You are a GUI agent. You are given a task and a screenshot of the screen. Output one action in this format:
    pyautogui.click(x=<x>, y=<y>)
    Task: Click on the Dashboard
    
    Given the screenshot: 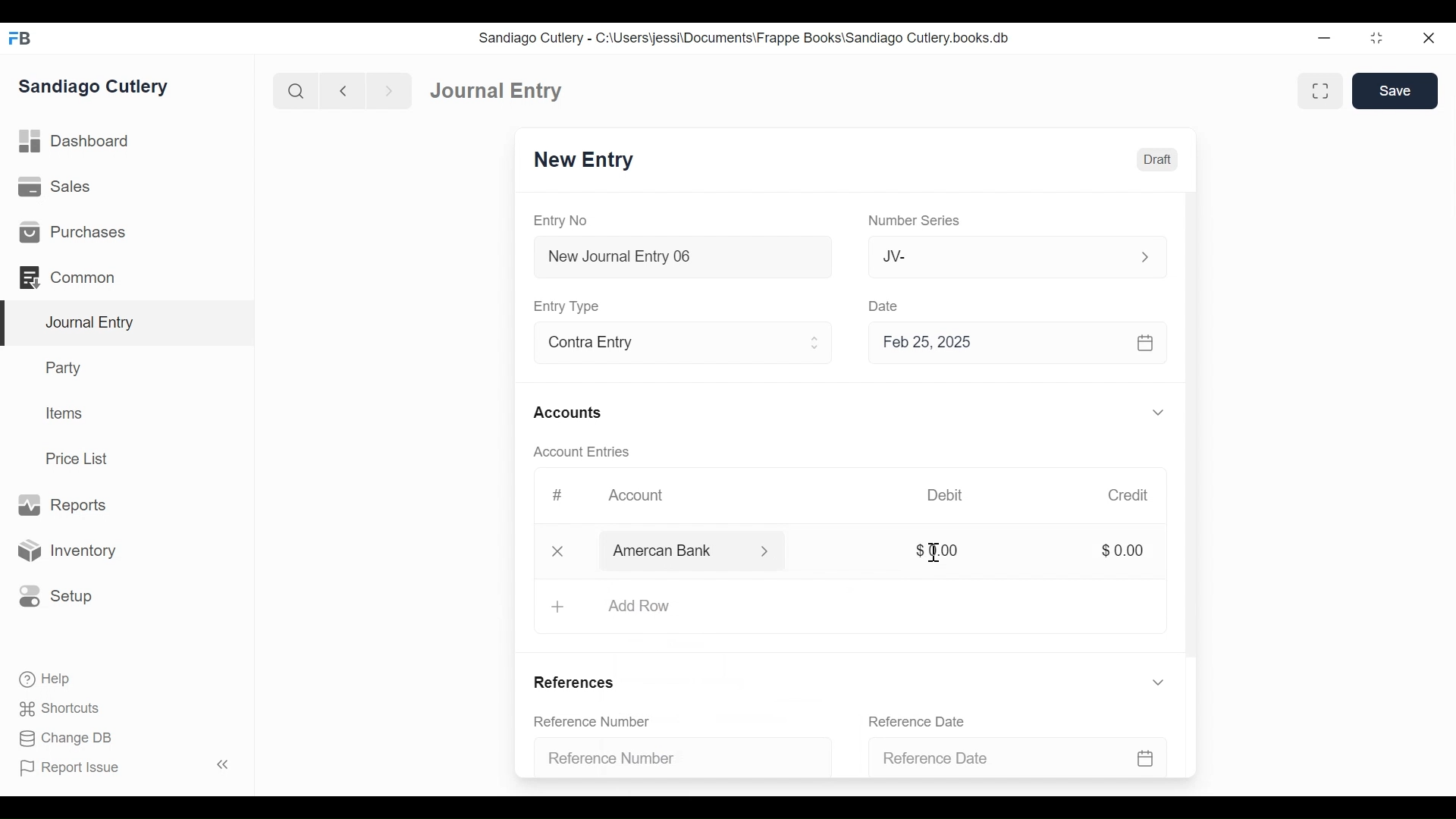 What is the action you would take?
    pyautogui.click(x=76, y=142)
    